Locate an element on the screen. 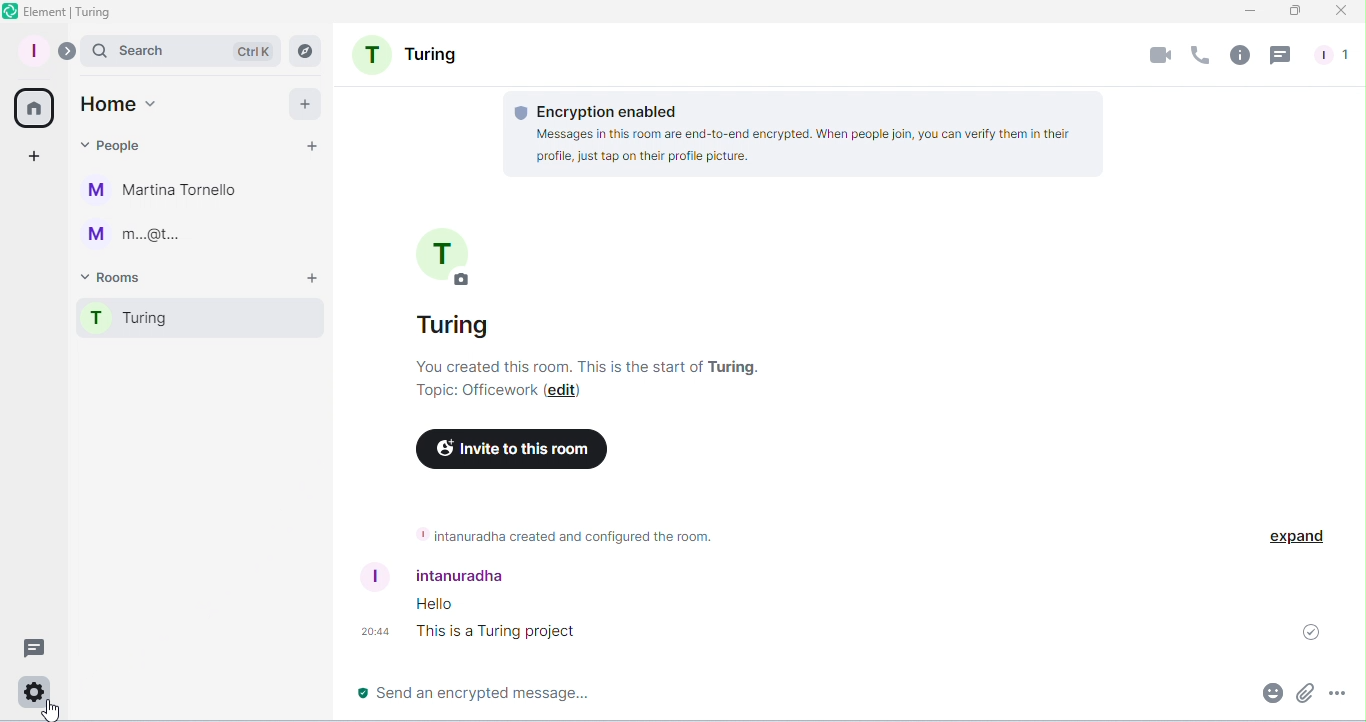  Message is located at coordinates (566, 622).